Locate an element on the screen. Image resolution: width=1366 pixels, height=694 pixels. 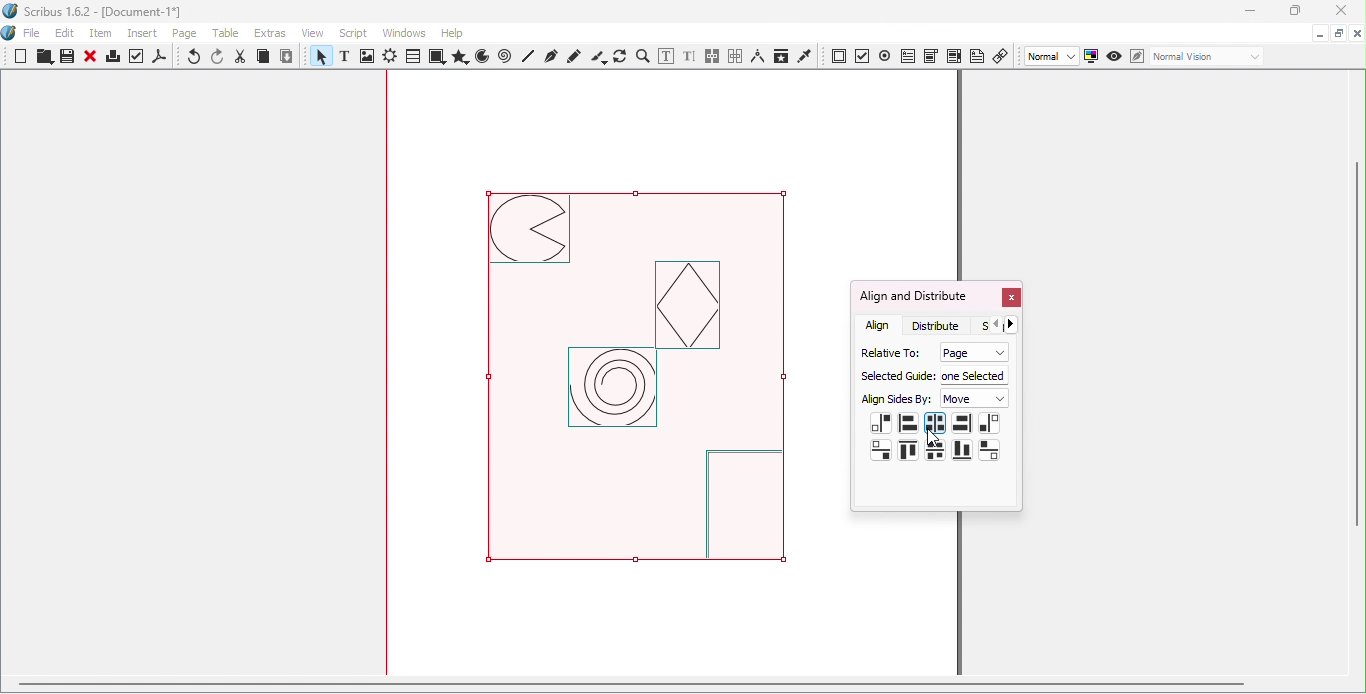
Redo is located at coordinates (219, 57).